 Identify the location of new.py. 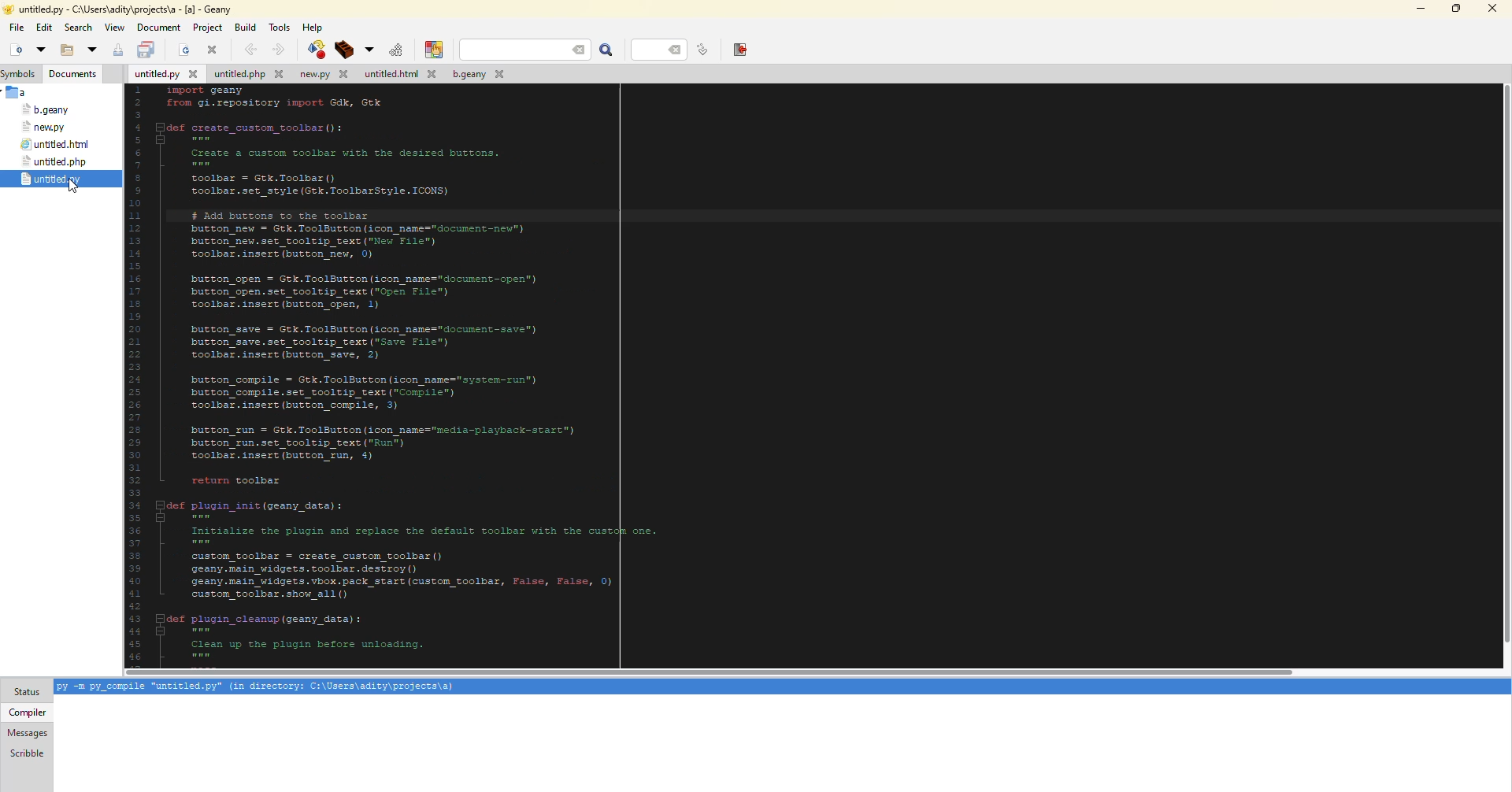
(45, 128).